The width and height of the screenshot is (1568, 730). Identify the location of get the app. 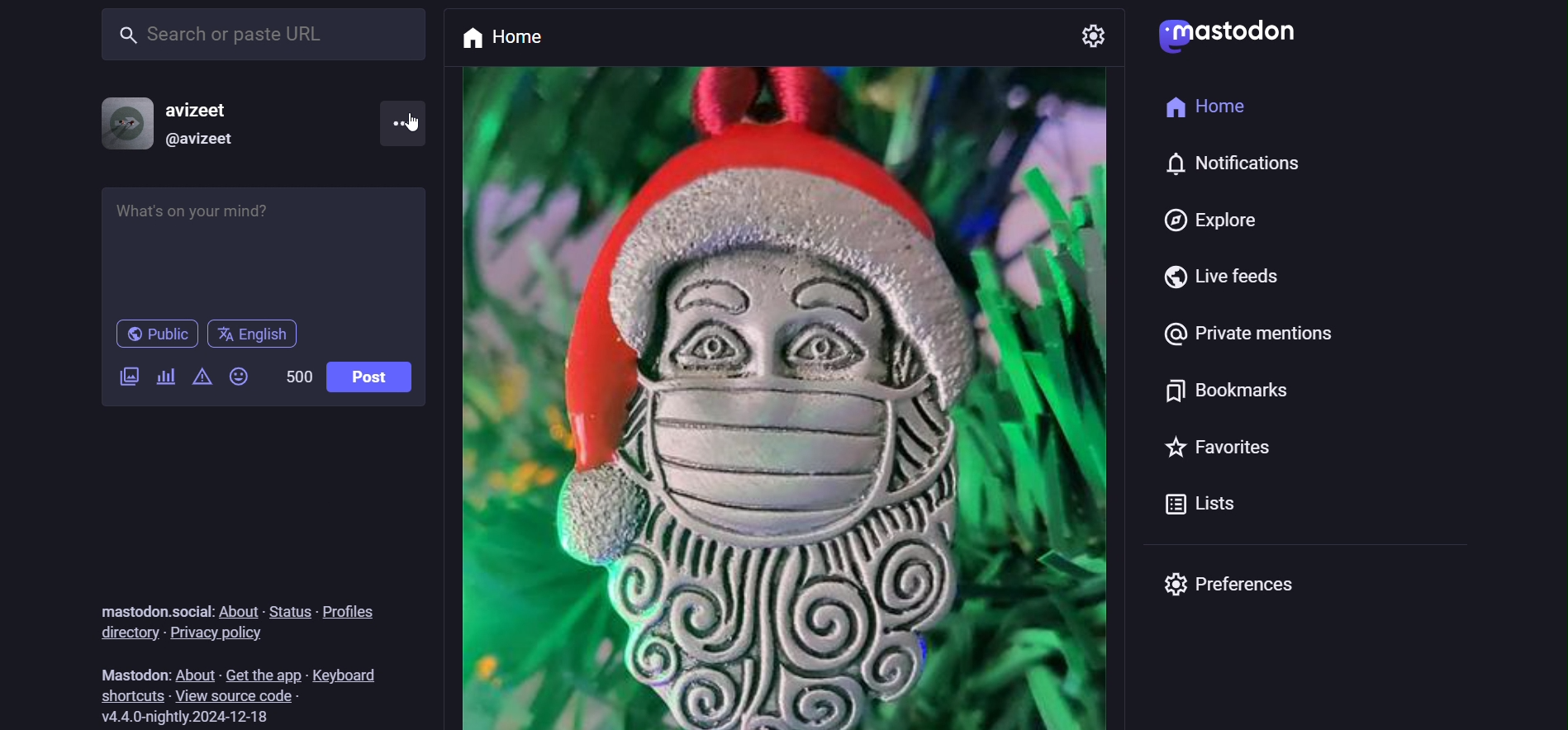
(262, 672).